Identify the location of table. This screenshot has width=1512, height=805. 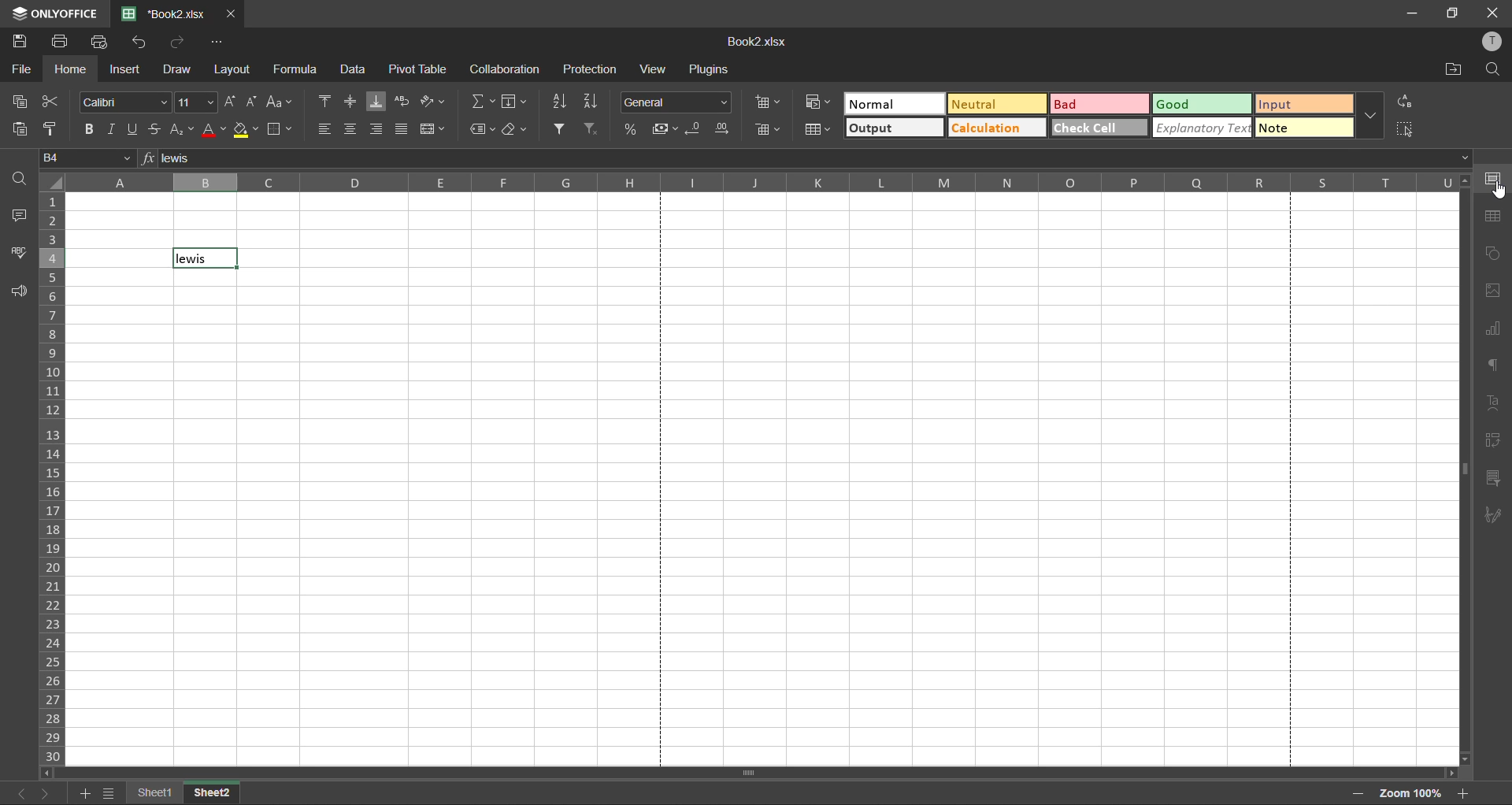
(1496, 218).